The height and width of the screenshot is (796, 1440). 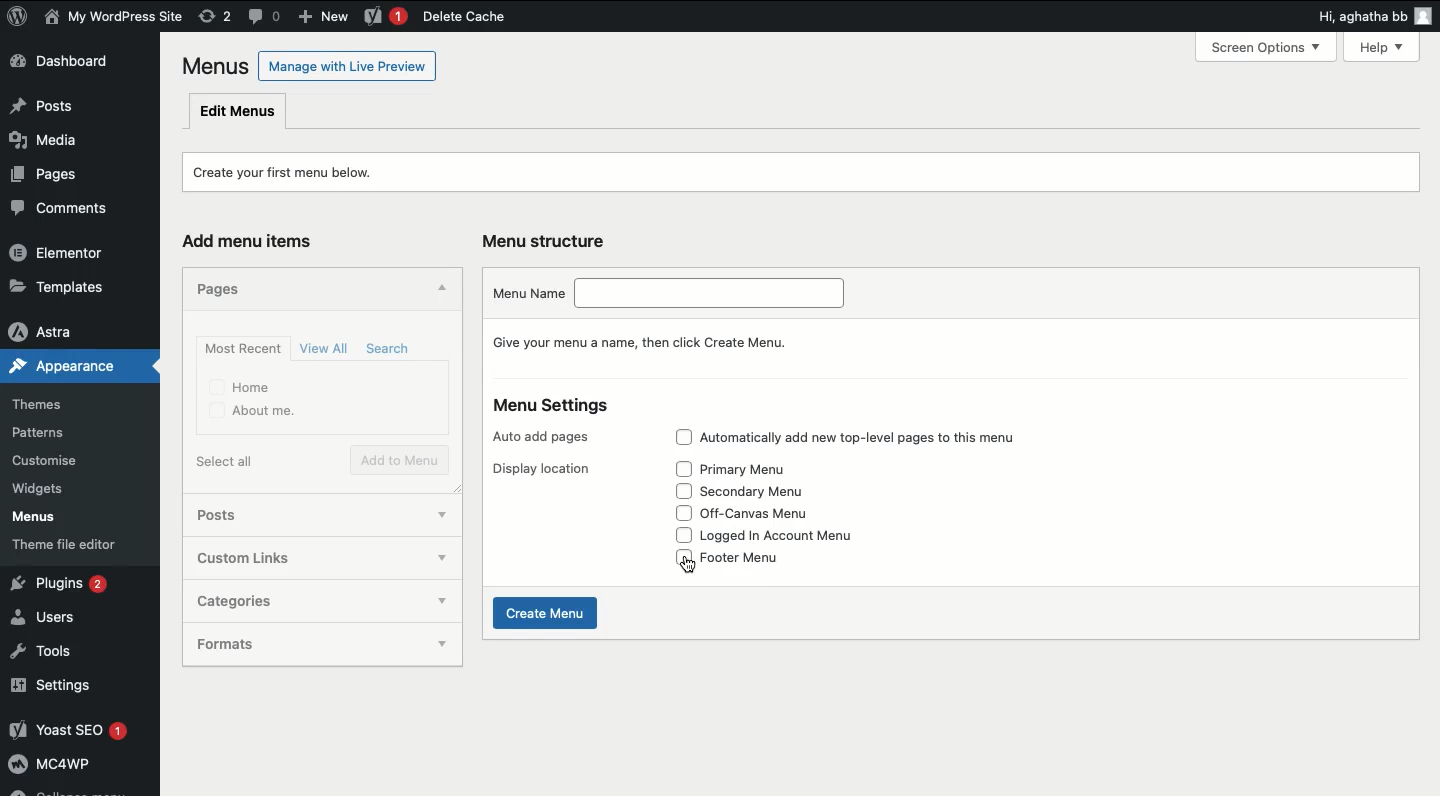 I want to click on New, so click(x=327, y=18).